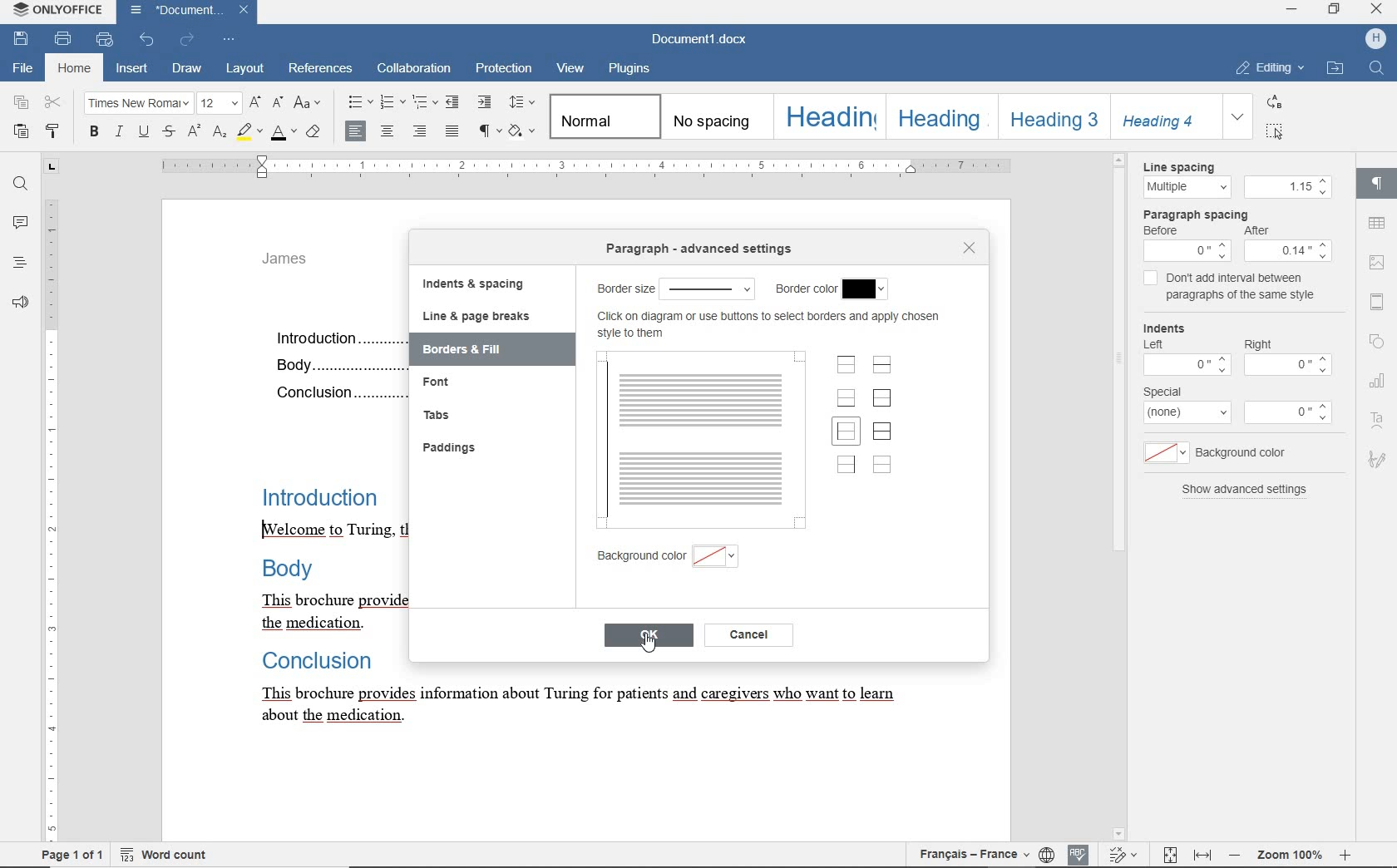 This screenshot has width=1397, height=868. I want to click on comments, so click(20, 224).